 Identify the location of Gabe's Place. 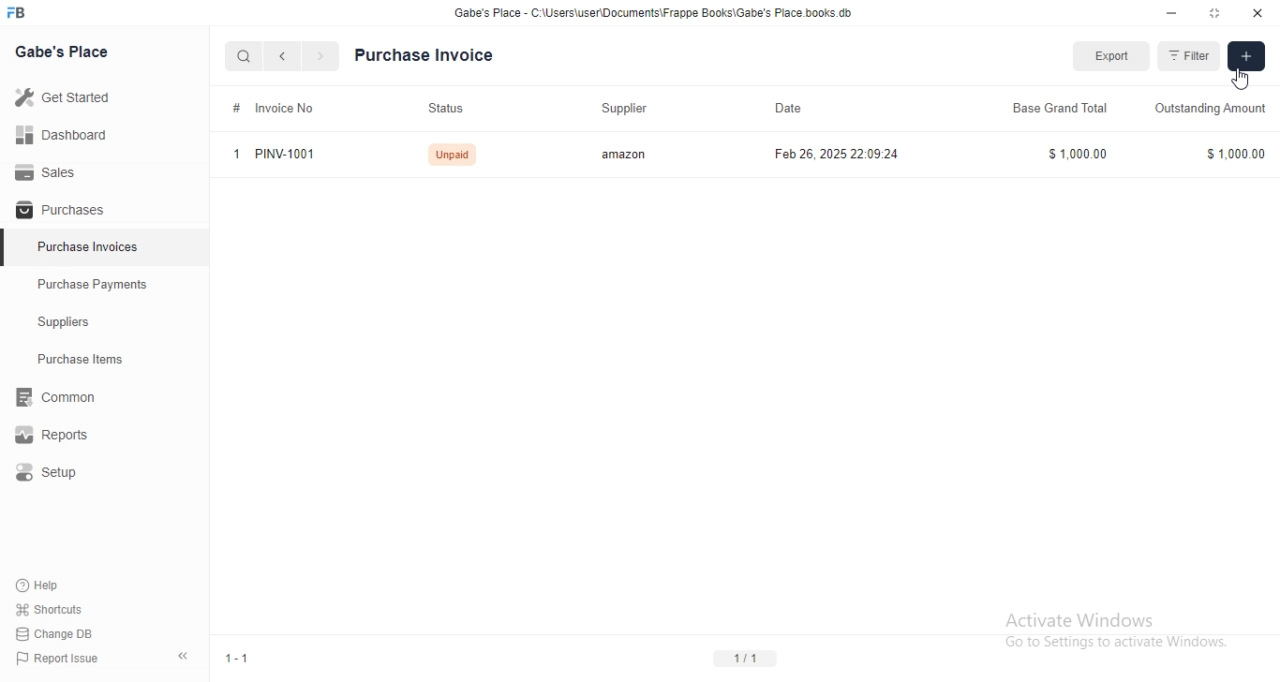
(61, 51).